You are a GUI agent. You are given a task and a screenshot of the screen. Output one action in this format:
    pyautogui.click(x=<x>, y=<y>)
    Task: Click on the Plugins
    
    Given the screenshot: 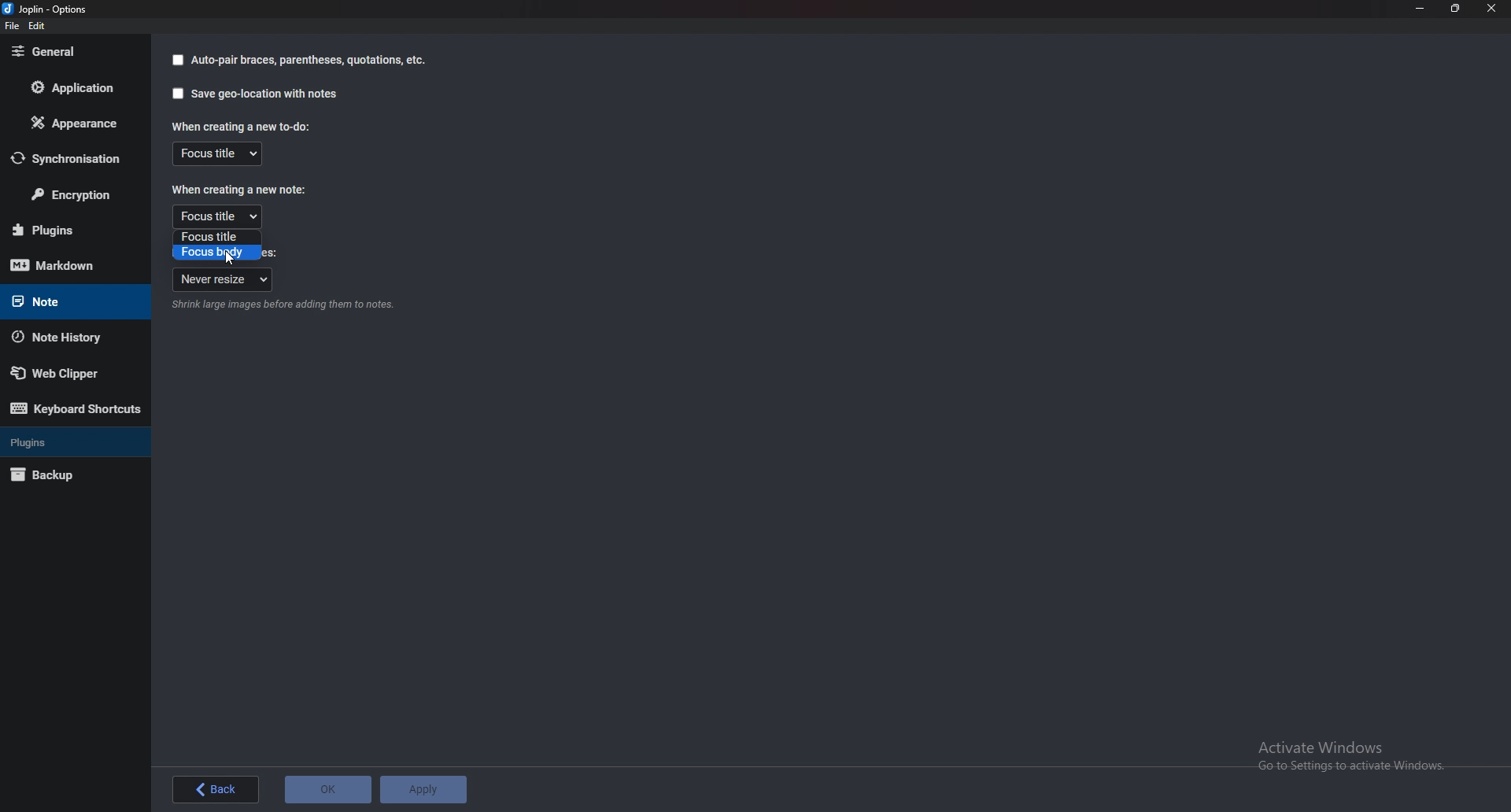 What is the action you would take?
    pyautogui.click(x=73, y=441)
    